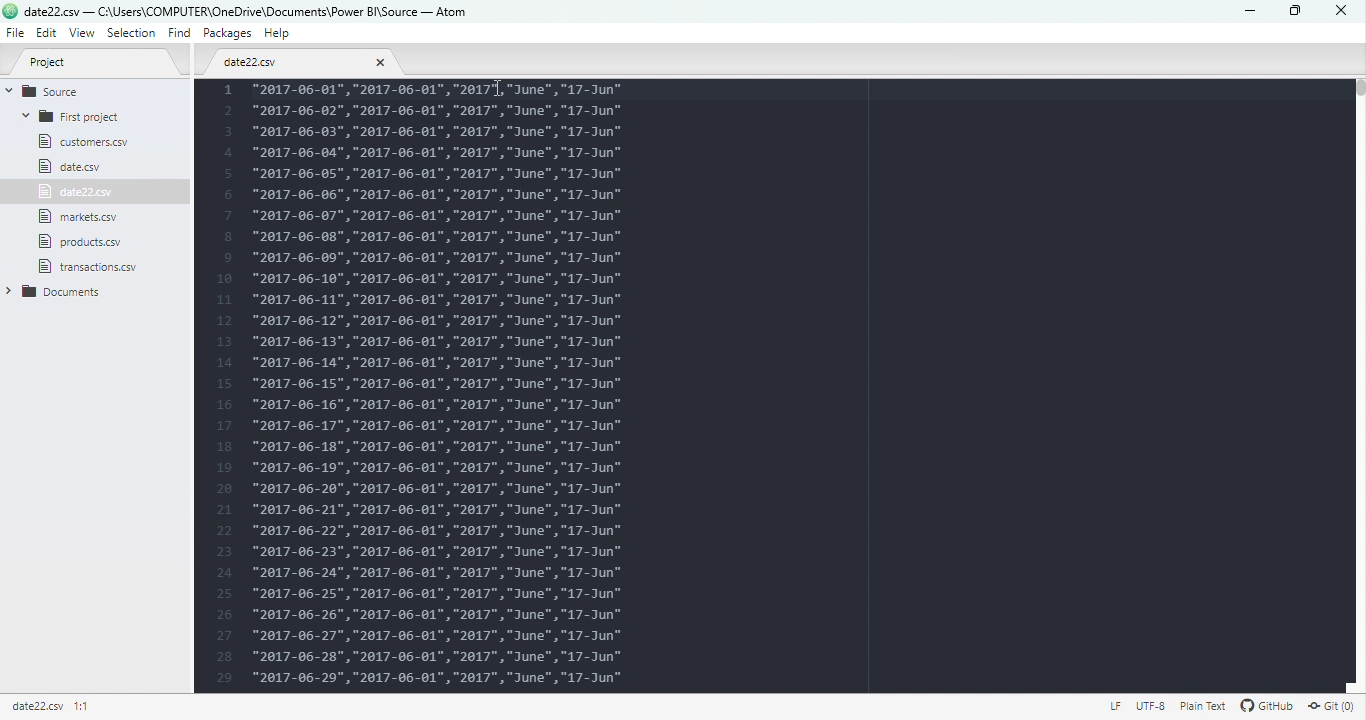  I want to click on File name, so click(249, 10).